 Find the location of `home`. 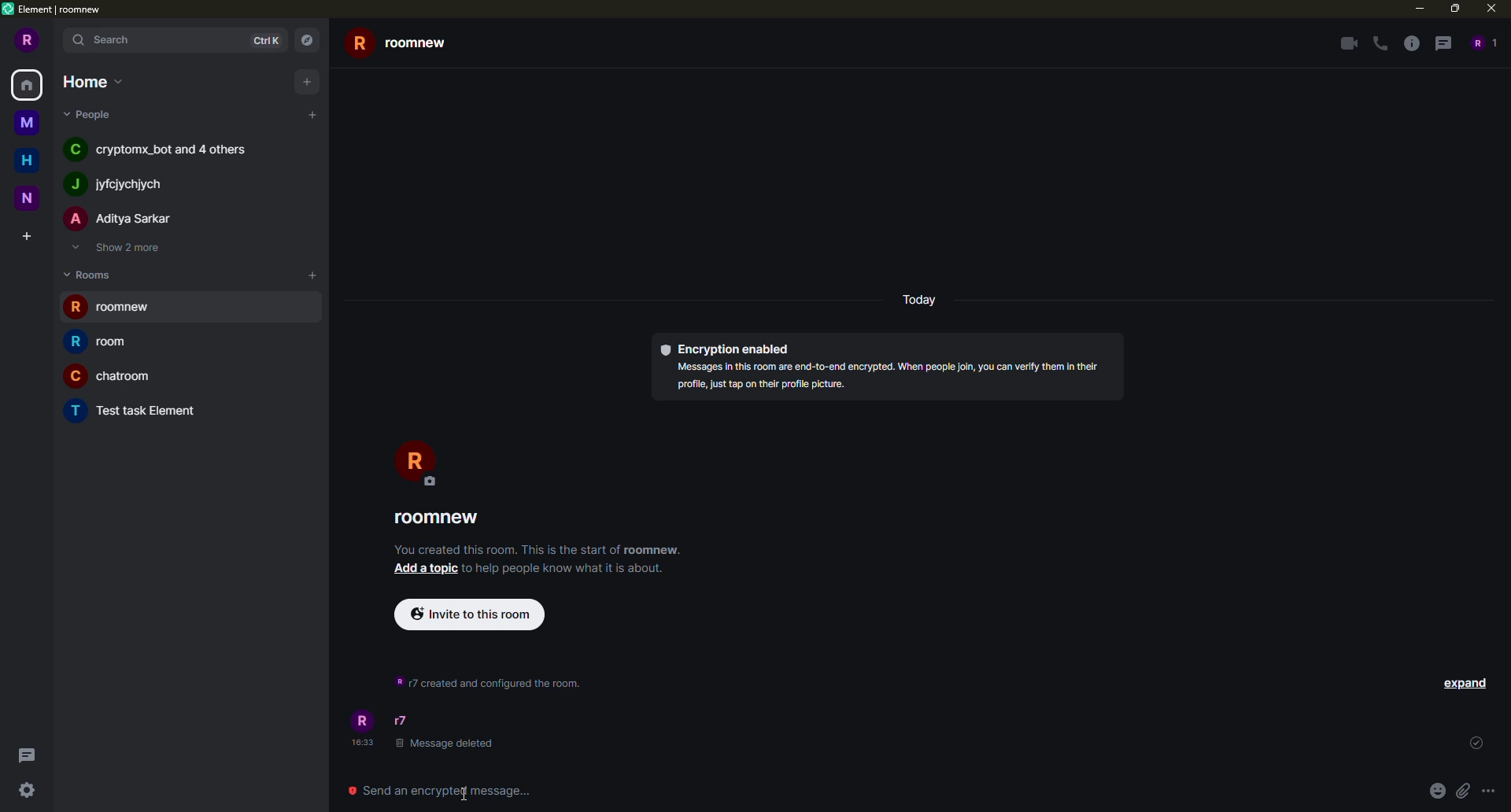

home is located at coordinates (28, 86).